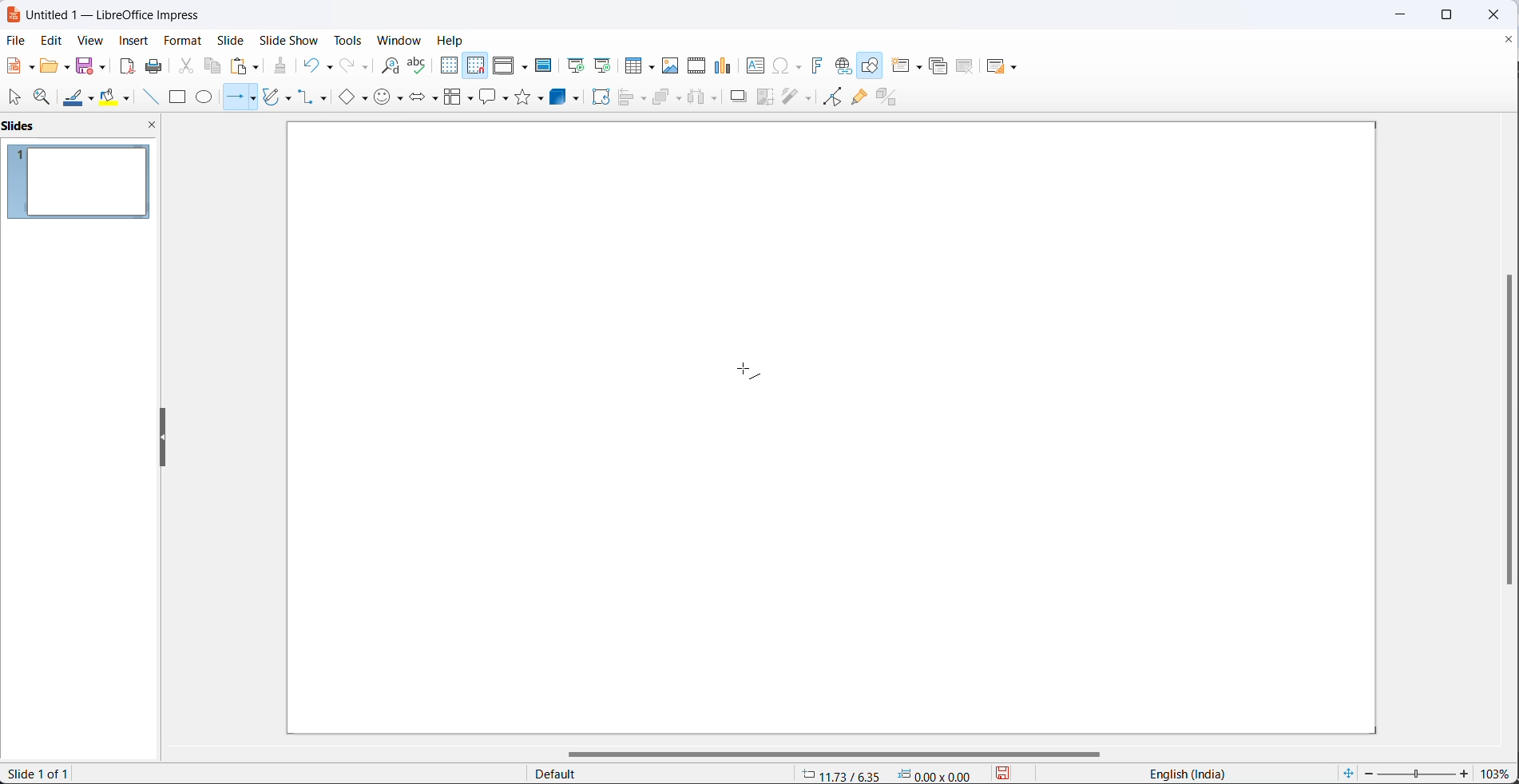 The height and width of the screenshot is (784, 1519). Describe the element at coordinates (474, 65) in the screenshot. I see `snap to grid` at that location.